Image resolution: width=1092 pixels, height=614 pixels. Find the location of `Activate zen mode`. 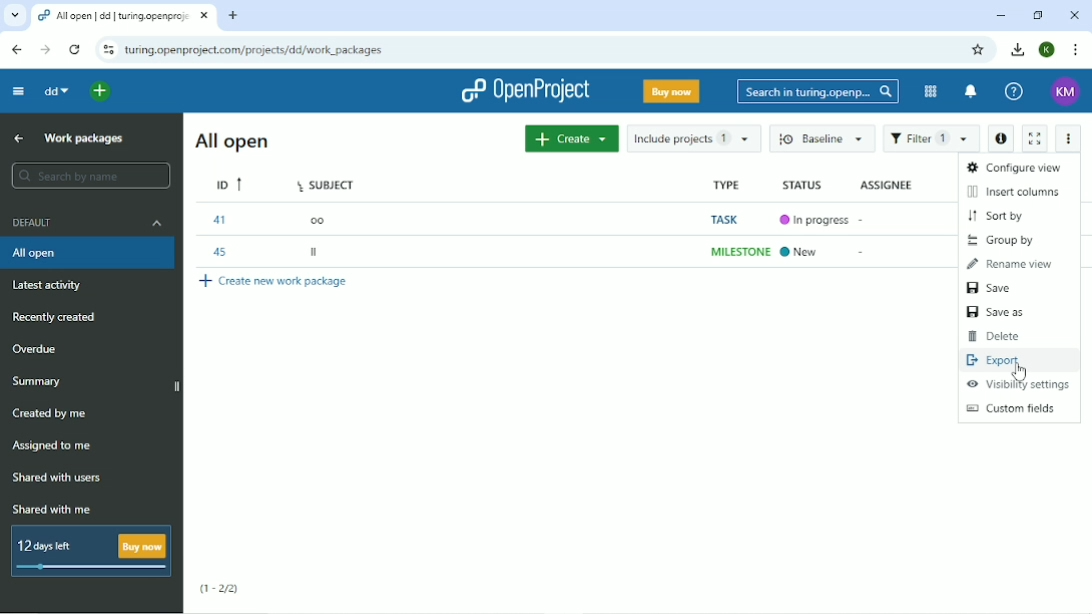

Activate zen mode is located at coordinates (1035, 136).